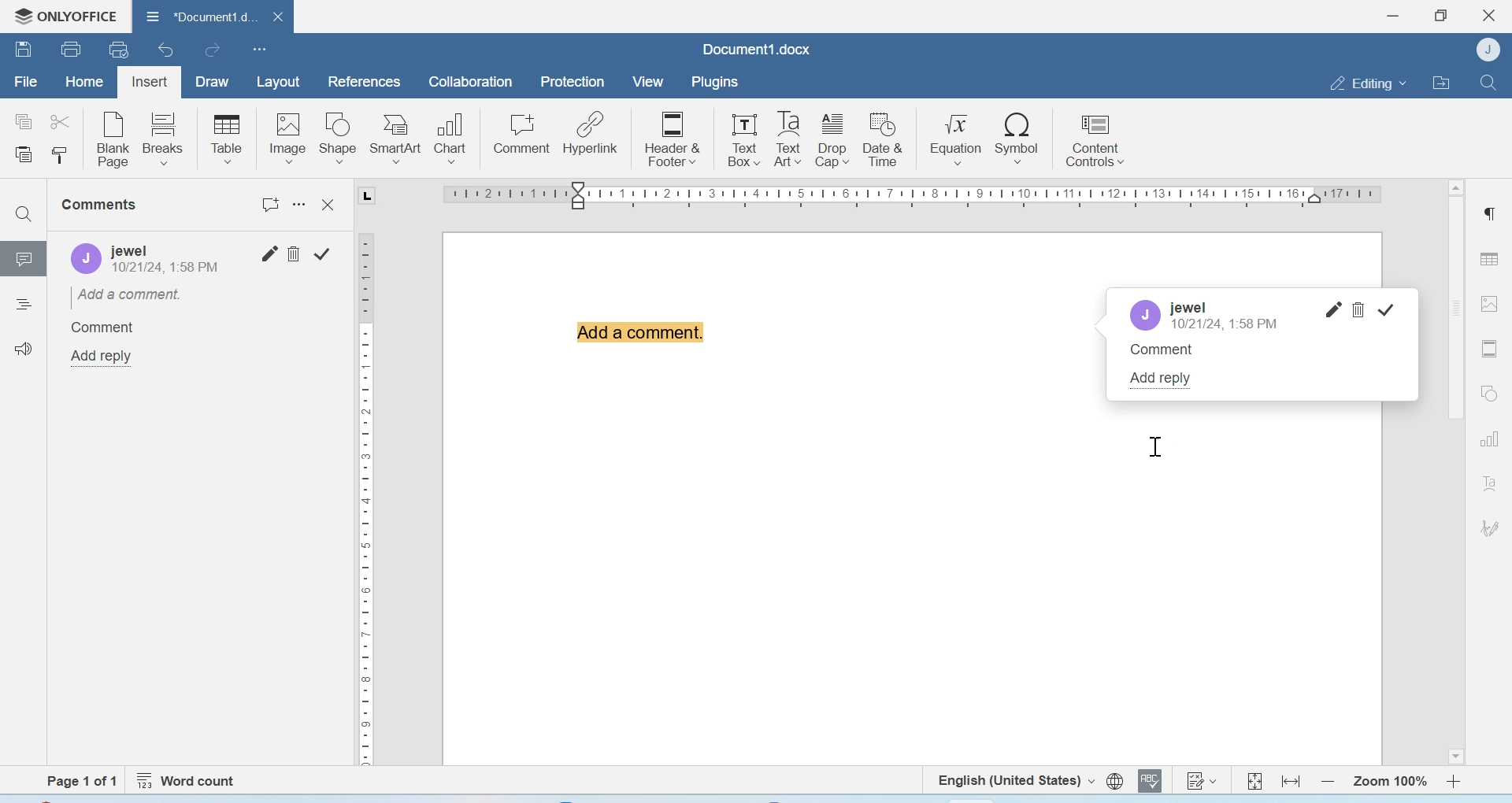  Describe the element at coordinates (114, 139) in the screenshot. I see `Blank page` at that location.